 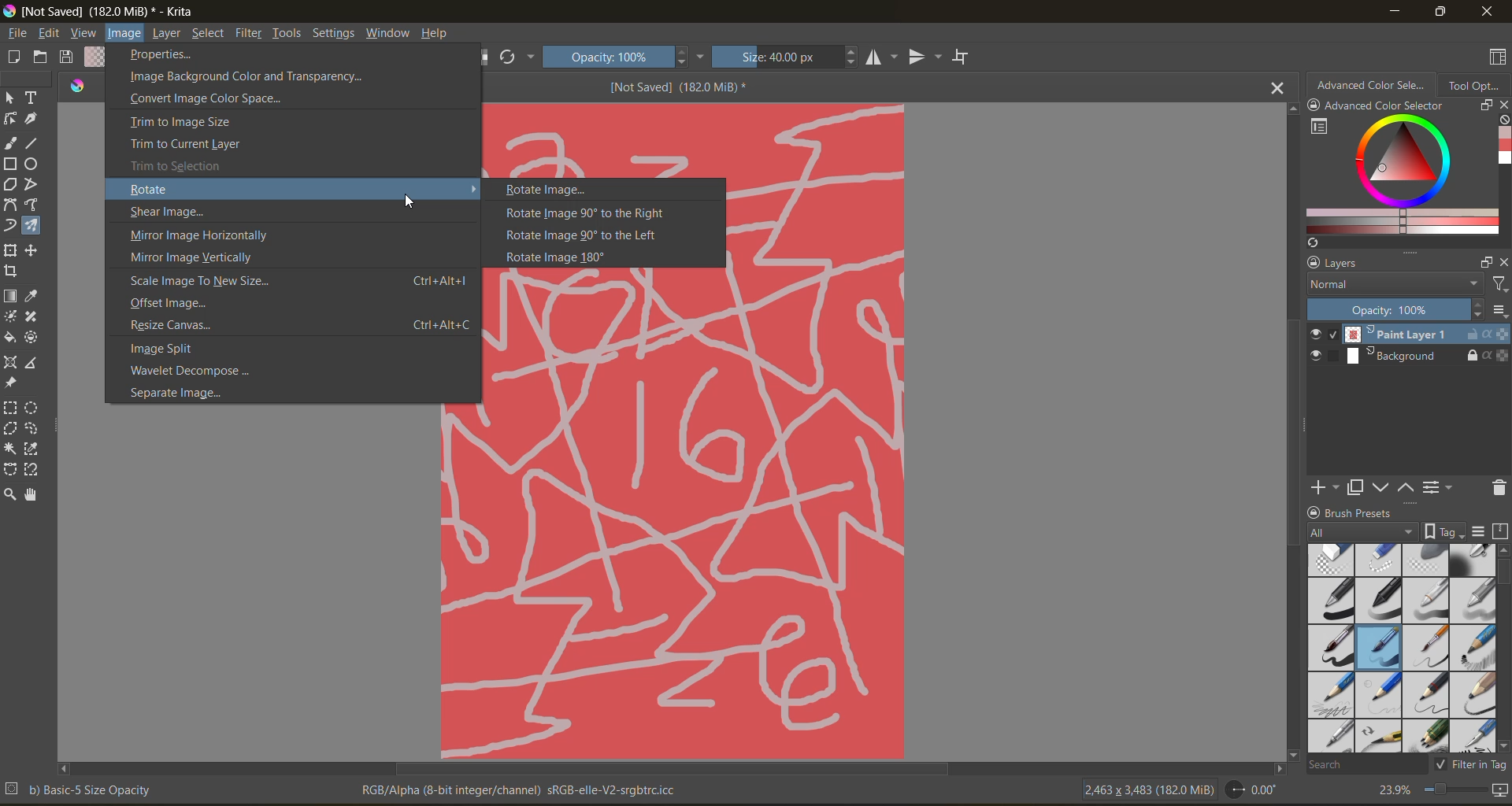 What do you see at coordinates (926, 57) in the screenshot?
I see `flip vertically` at bounding box center [926, 57].